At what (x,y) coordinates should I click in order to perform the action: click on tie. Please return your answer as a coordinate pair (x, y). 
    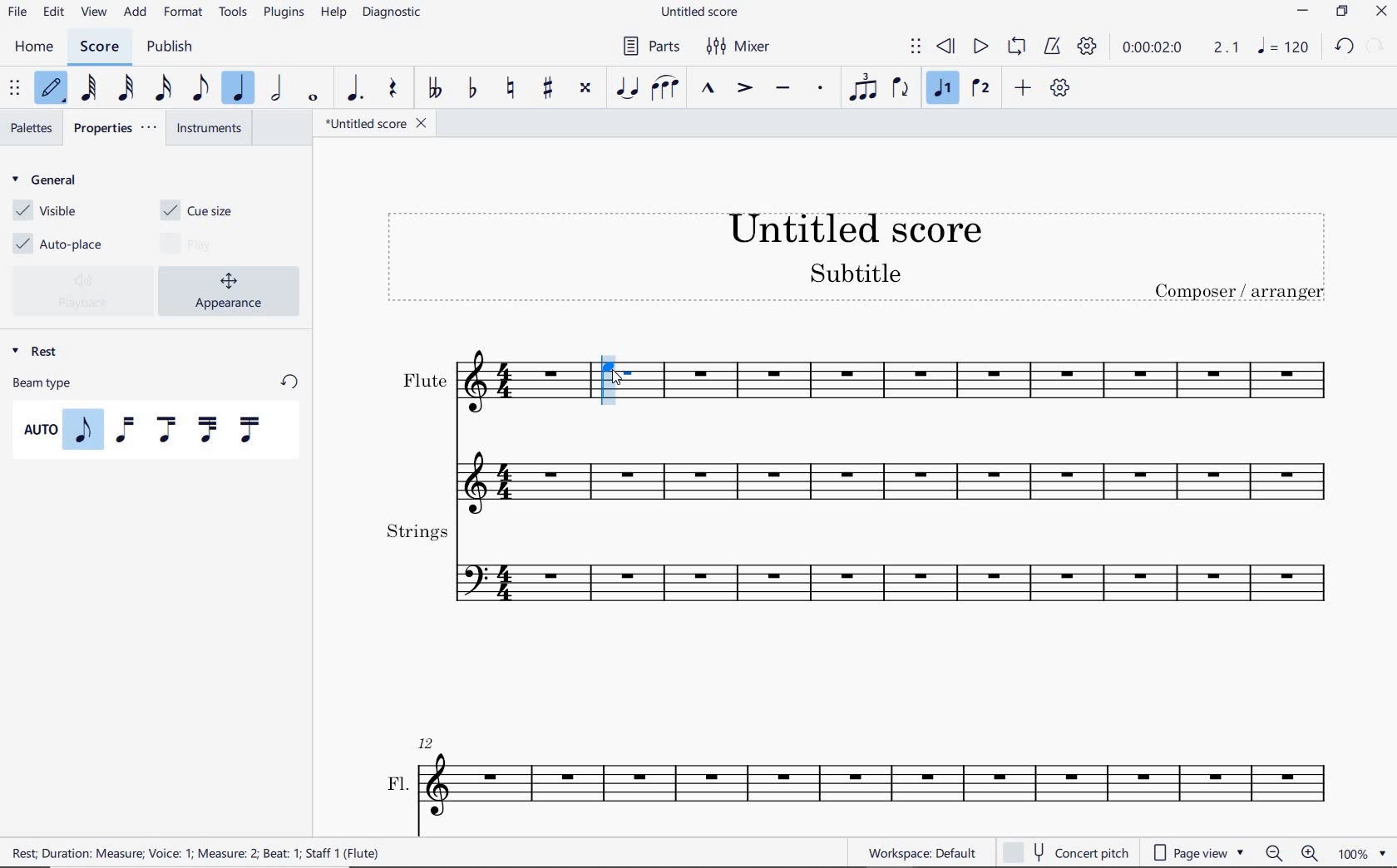
    Looking at the image, I should click on (627, 87).